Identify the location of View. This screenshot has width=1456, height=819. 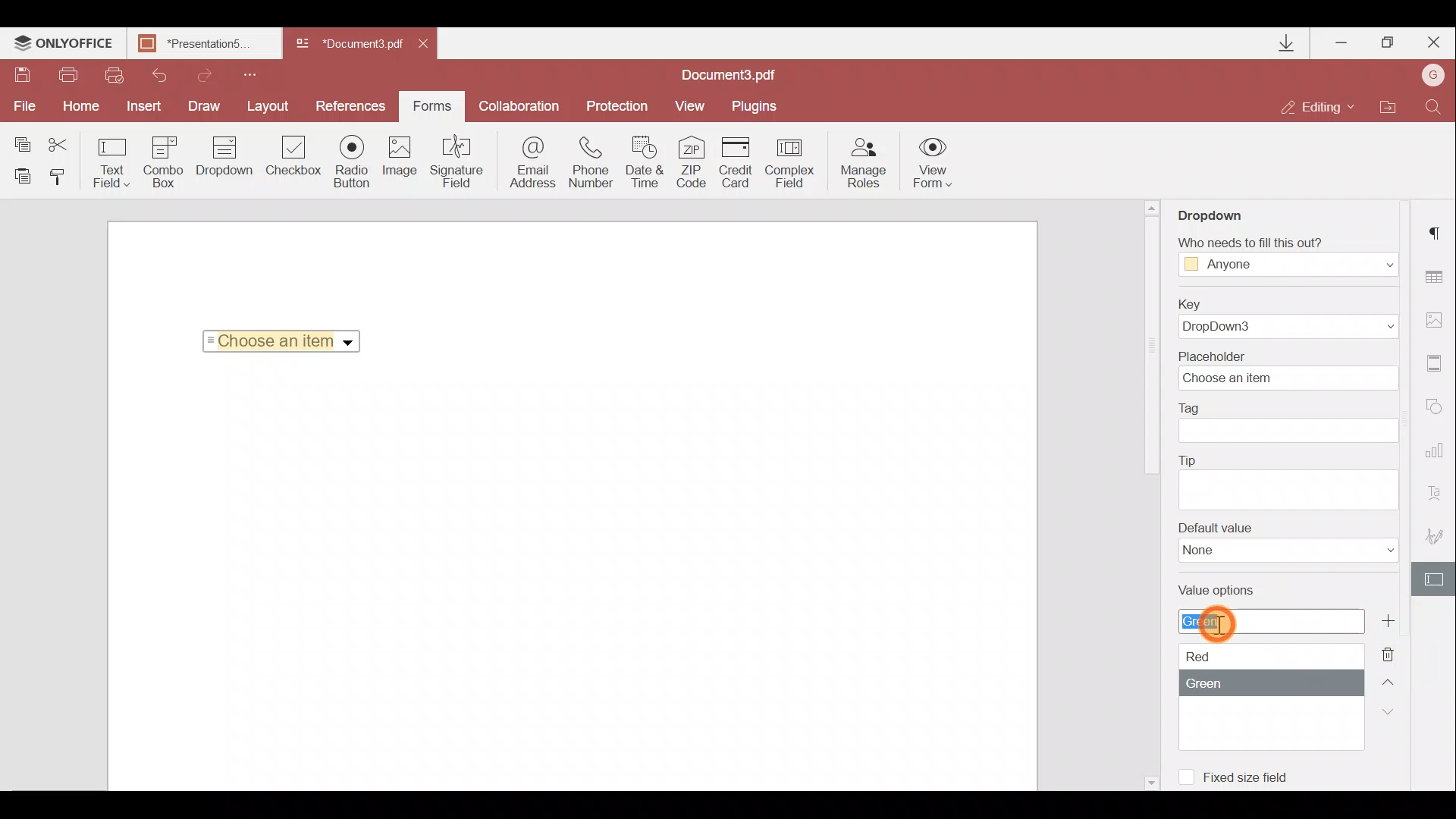
(695, 106).